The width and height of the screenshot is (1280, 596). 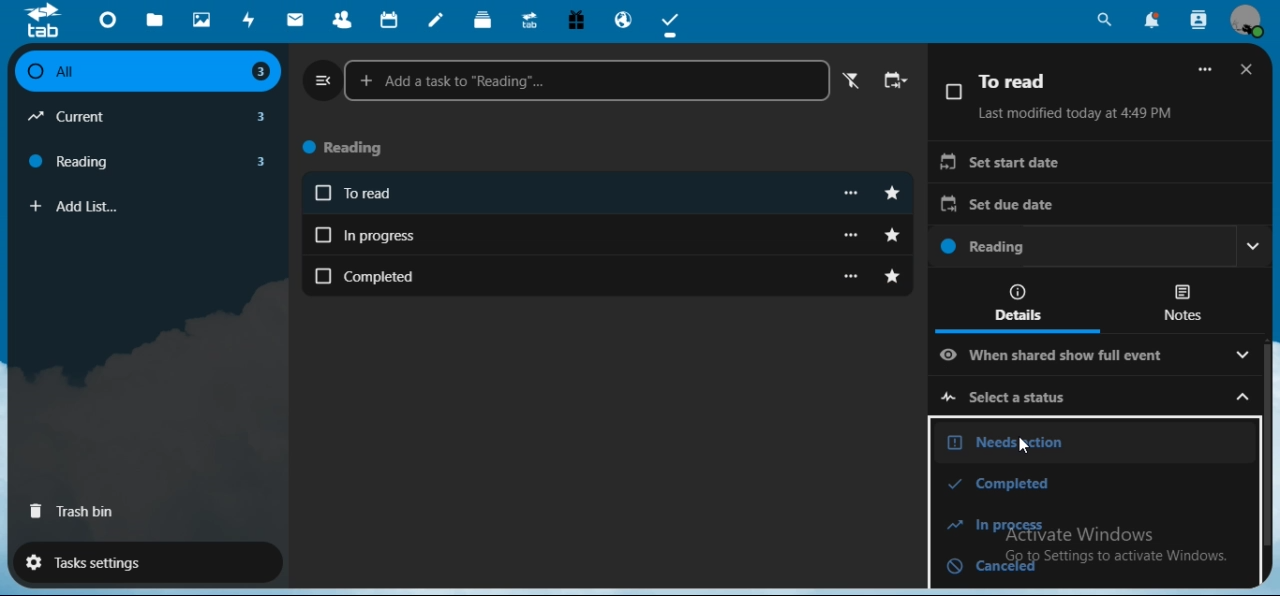 I want to click on set start date, so click(x=1100, y=162).